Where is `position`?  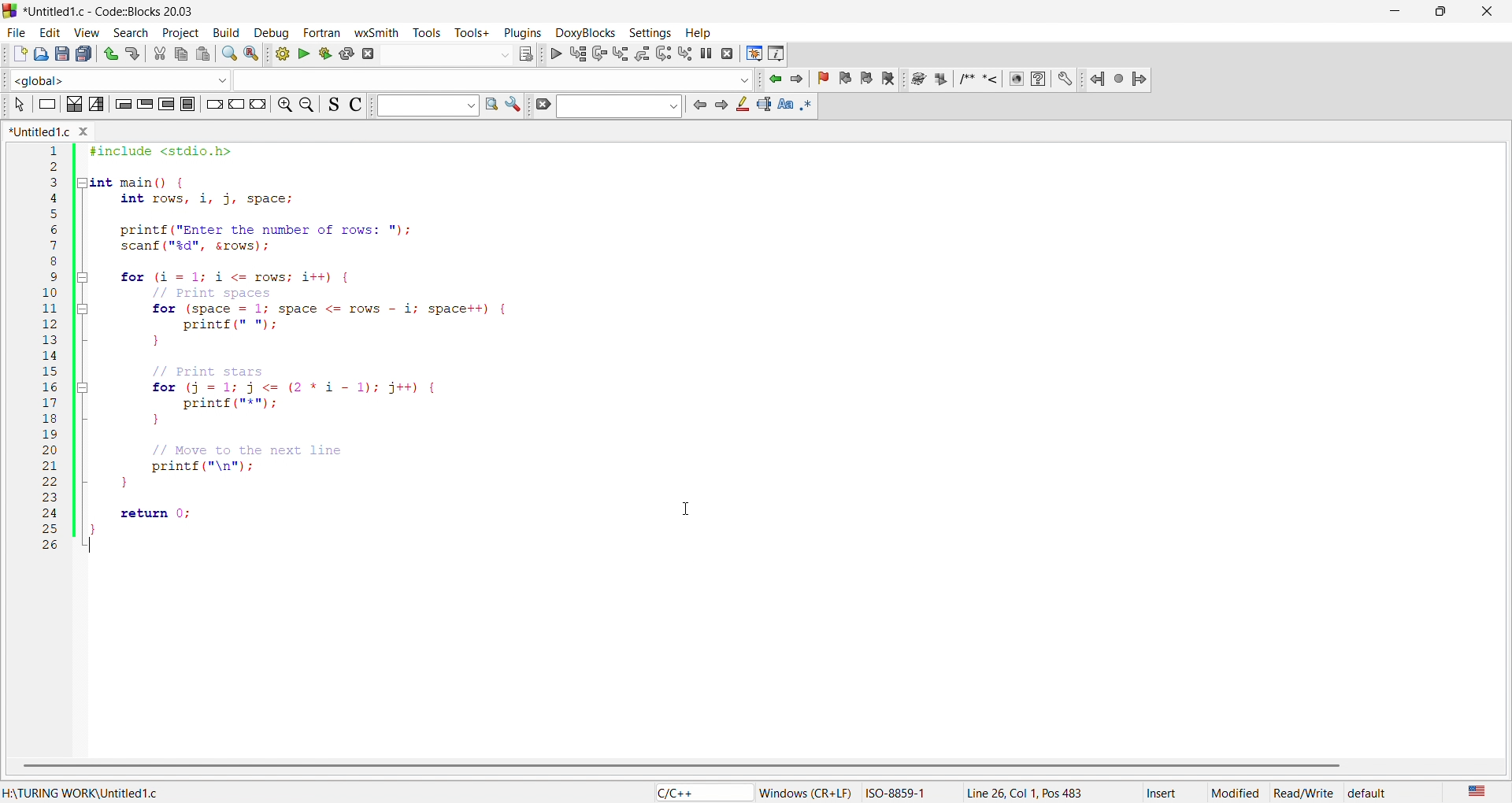 position is located at coordinates (1039, 791).